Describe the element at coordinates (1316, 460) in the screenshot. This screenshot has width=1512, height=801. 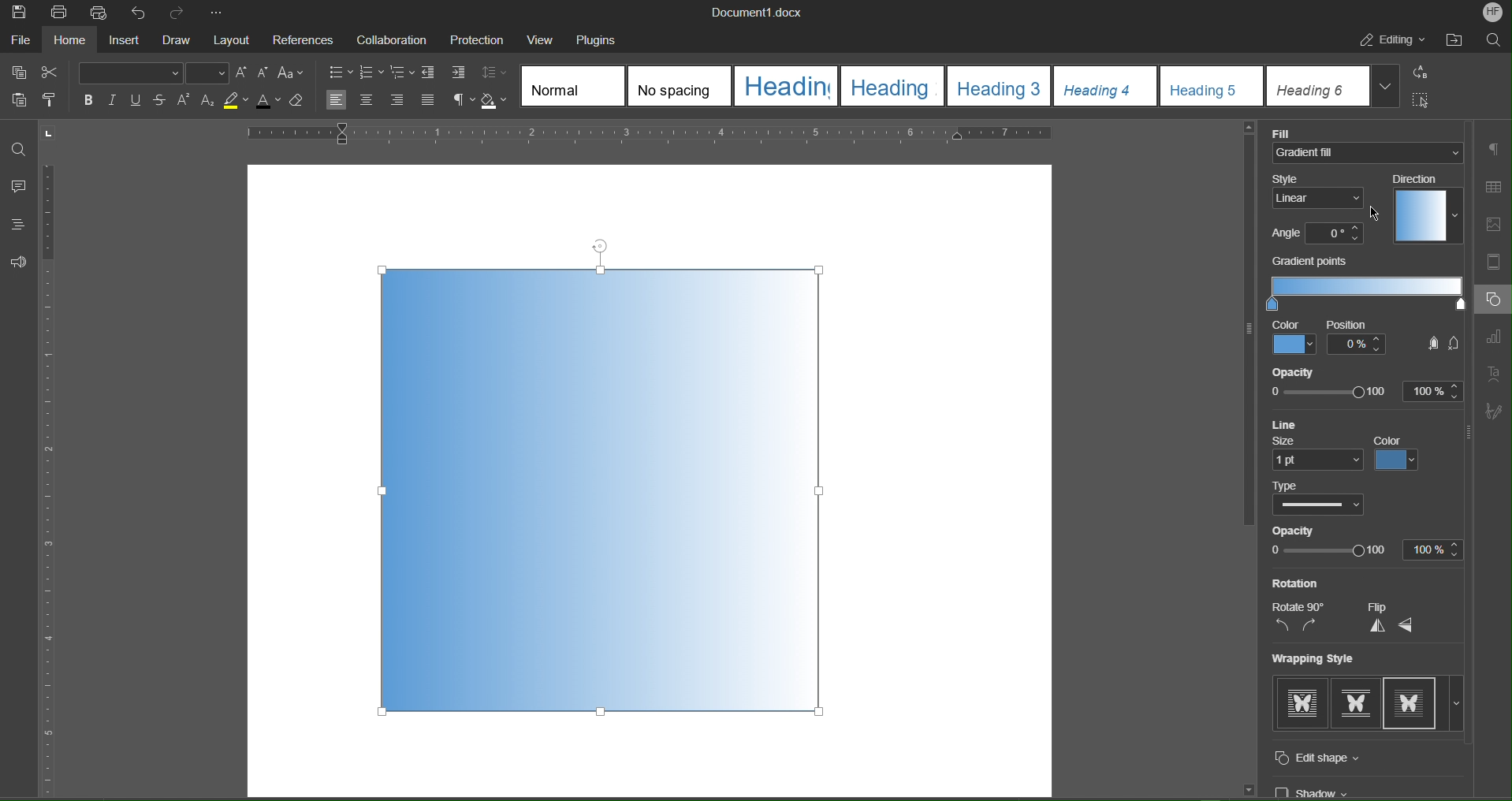
I see `1pt` at that location.